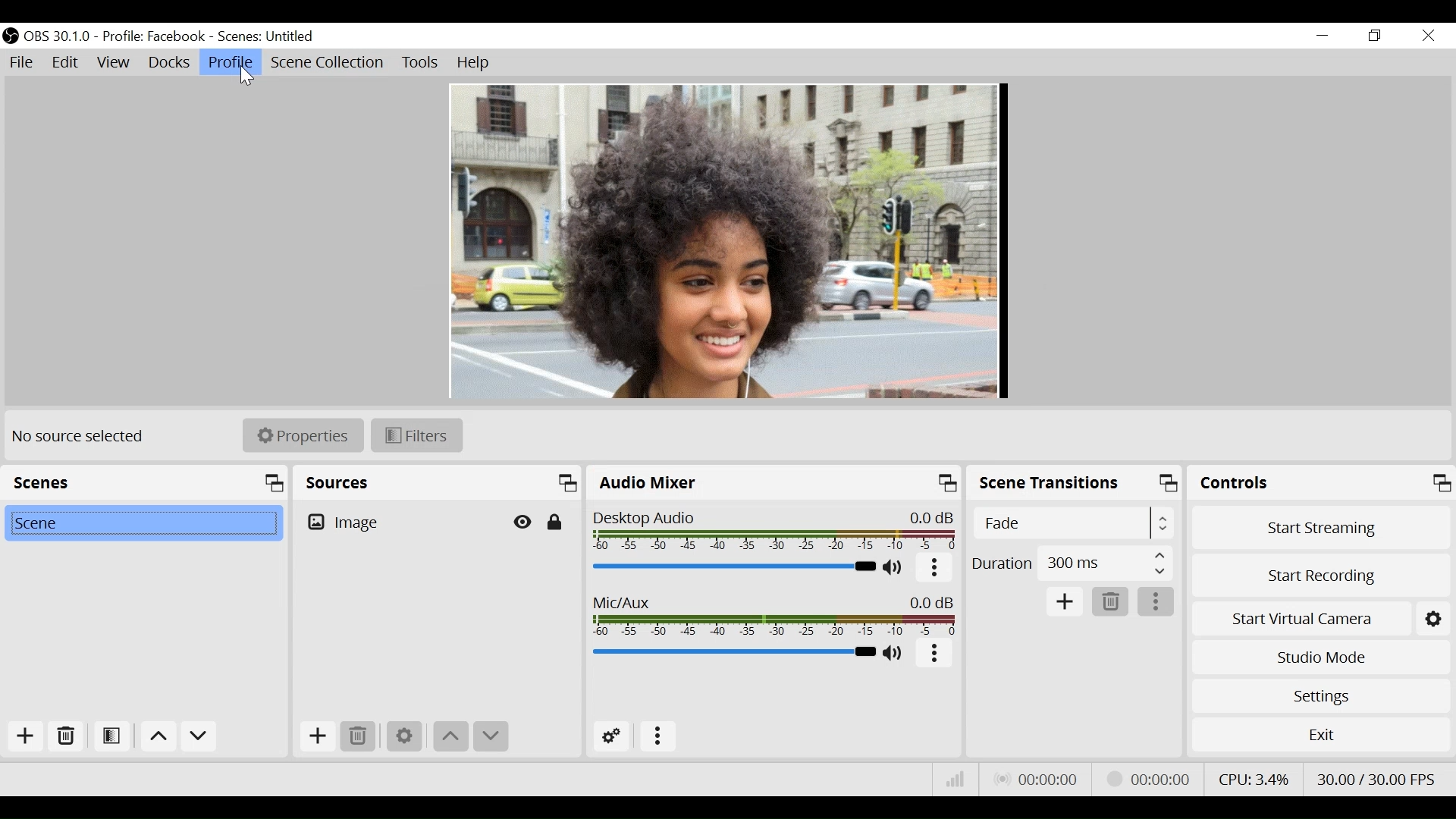 The width and height of the screenshot is (1456, 819). I want to click on More Options, so click(936, 572).